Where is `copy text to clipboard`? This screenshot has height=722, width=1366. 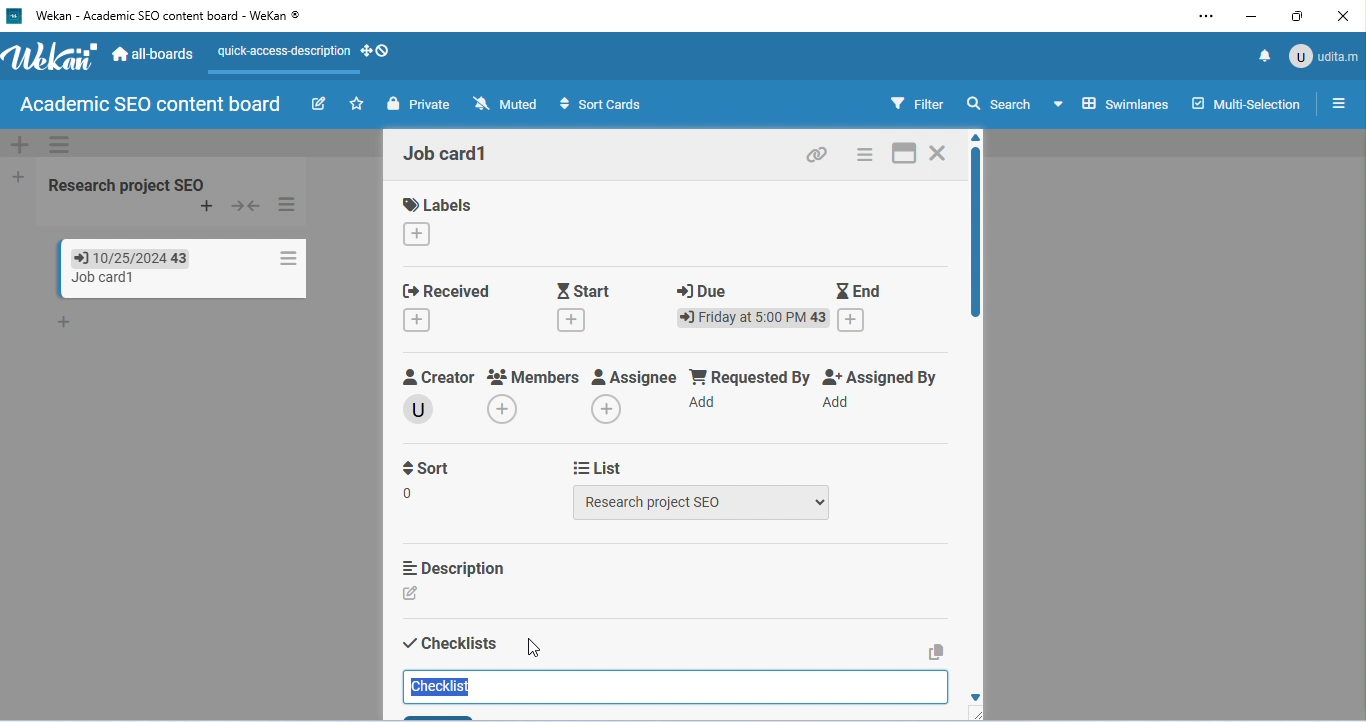 copy text to clipboard is located at coordinates (936, 651).